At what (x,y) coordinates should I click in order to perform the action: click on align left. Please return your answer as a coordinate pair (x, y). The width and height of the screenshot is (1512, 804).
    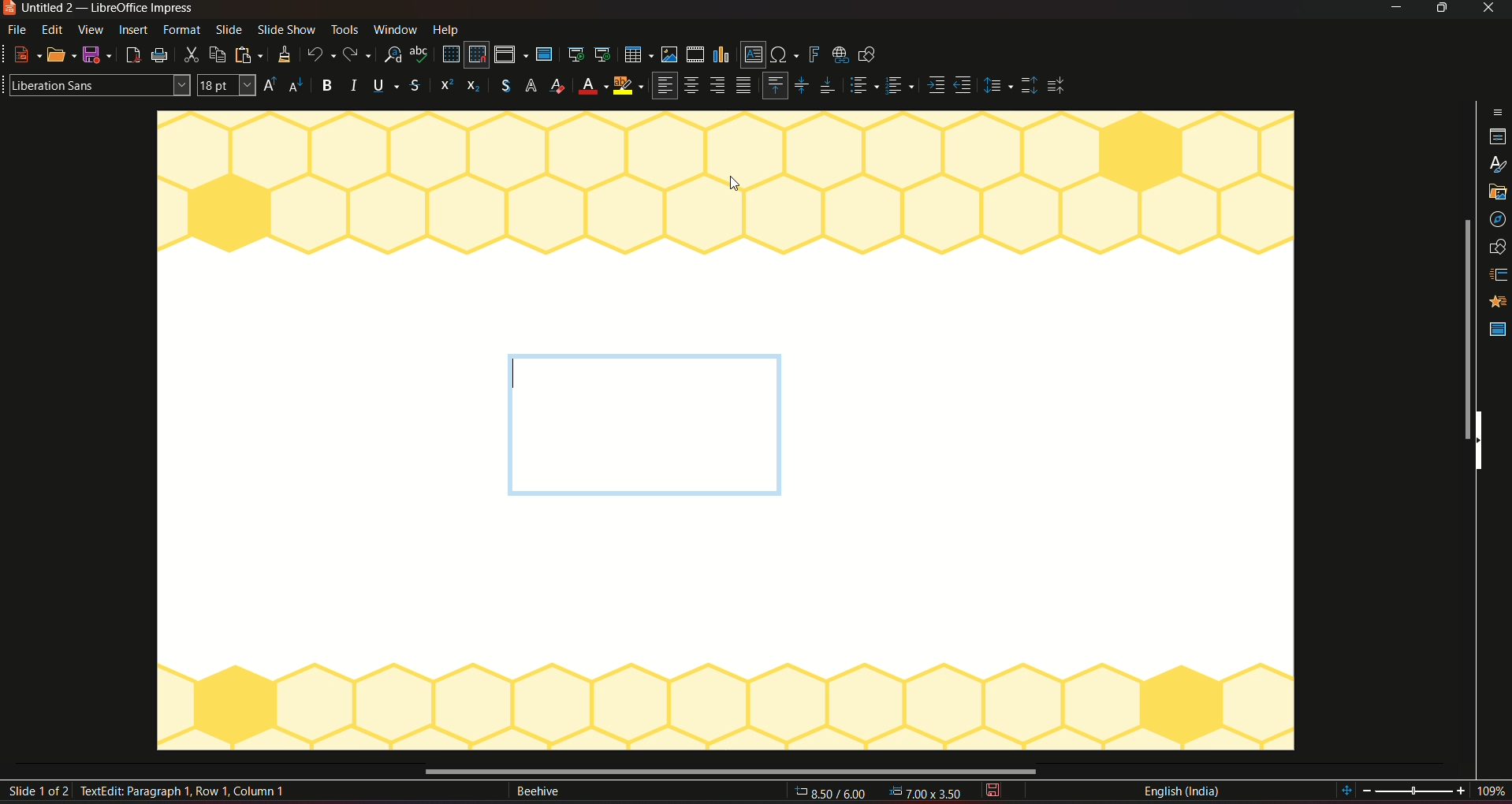
    Looking at the image, I should click on (664, 86).